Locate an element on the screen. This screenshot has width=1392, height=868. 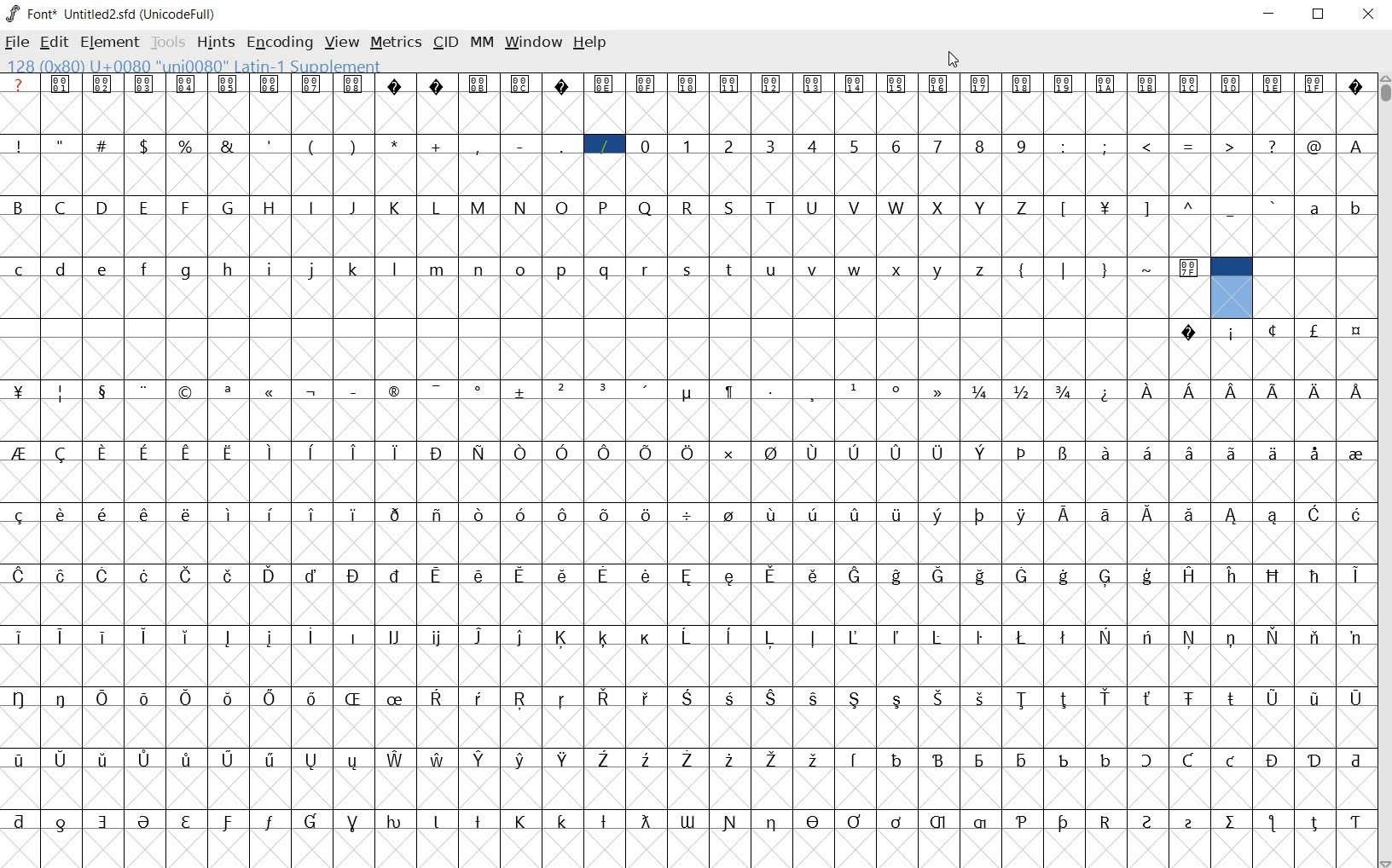
H is located at coordinates (273, 206).